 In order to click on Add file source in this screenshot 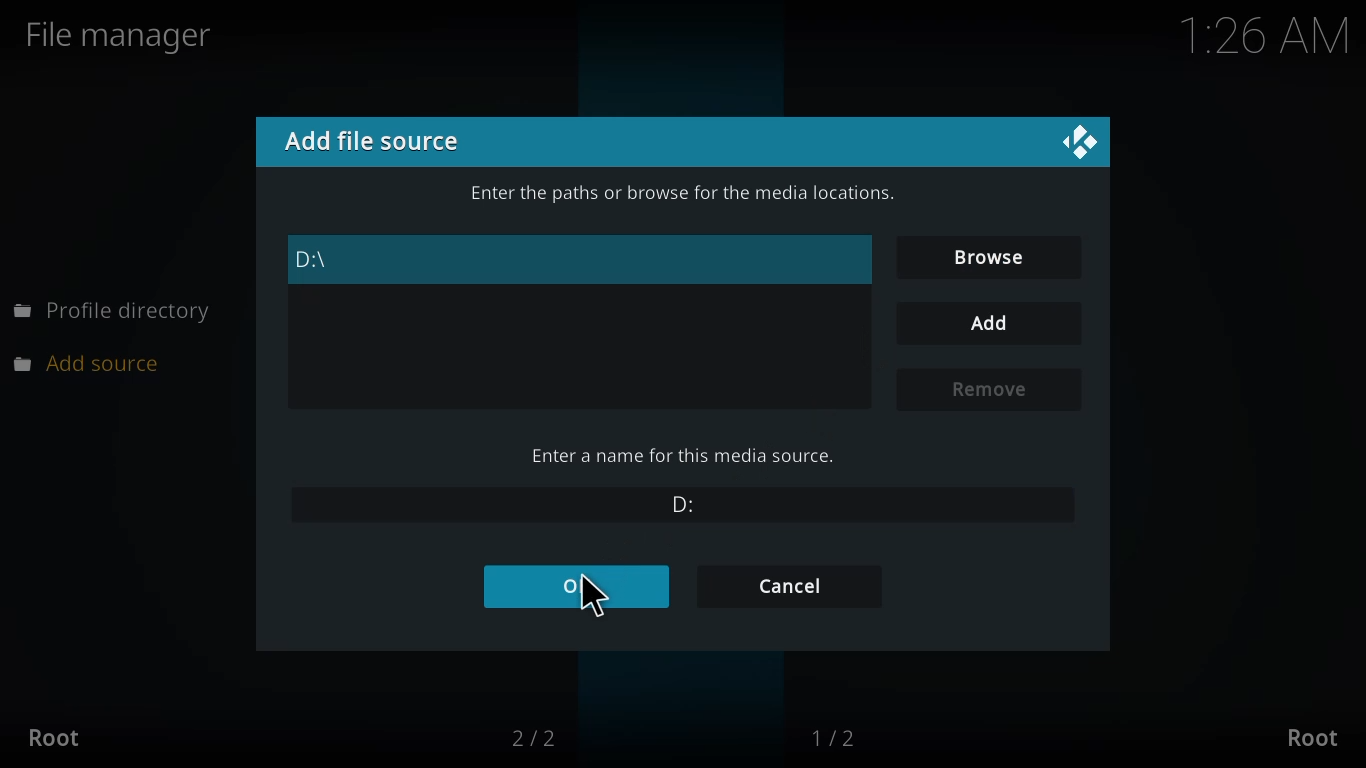, I will do `click(379, 141)`.